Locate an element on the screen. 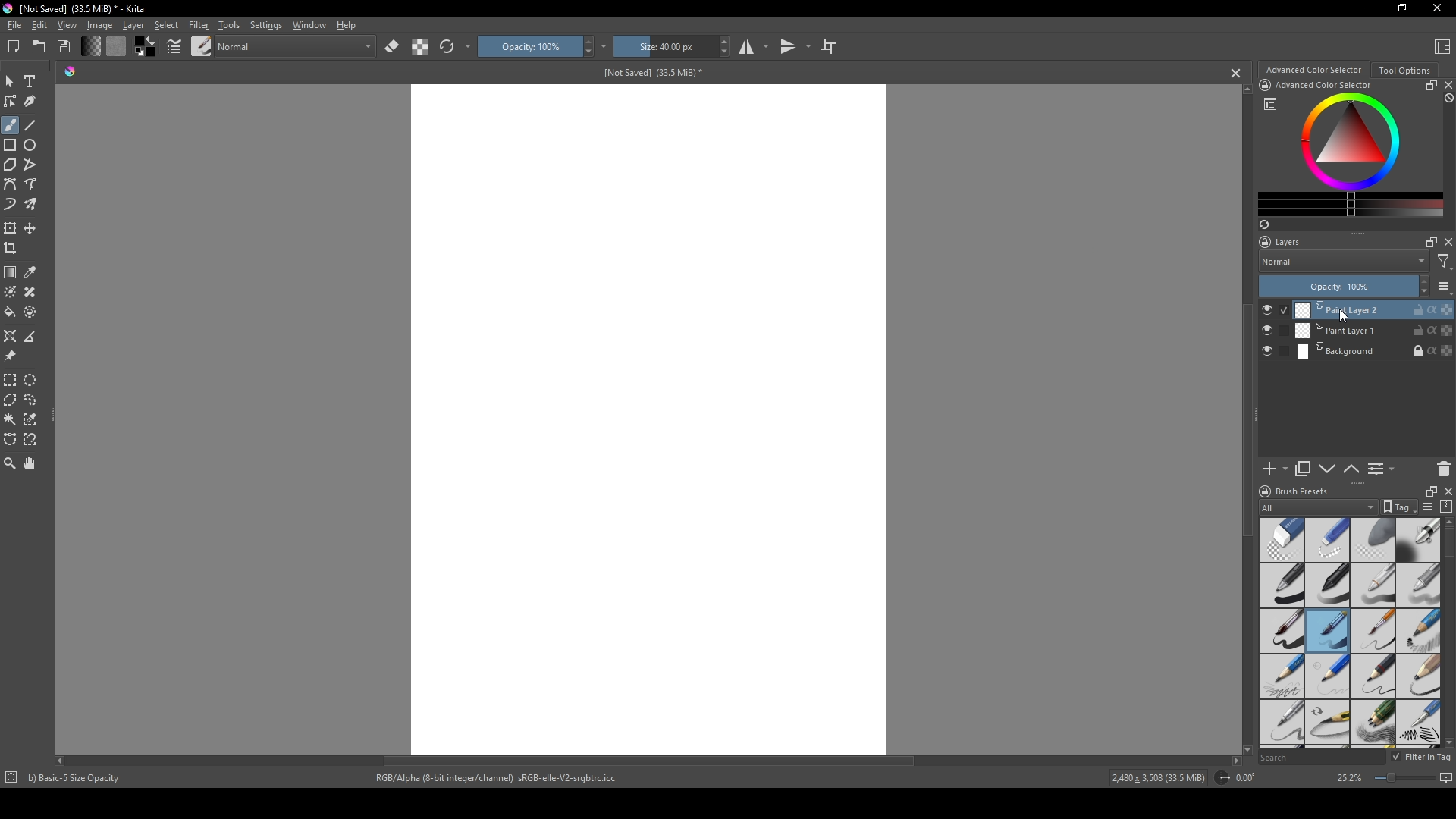 Image resolution: width=1456 pixels, height=819 pixels. thick brush is located at coordinates (1282, 632).